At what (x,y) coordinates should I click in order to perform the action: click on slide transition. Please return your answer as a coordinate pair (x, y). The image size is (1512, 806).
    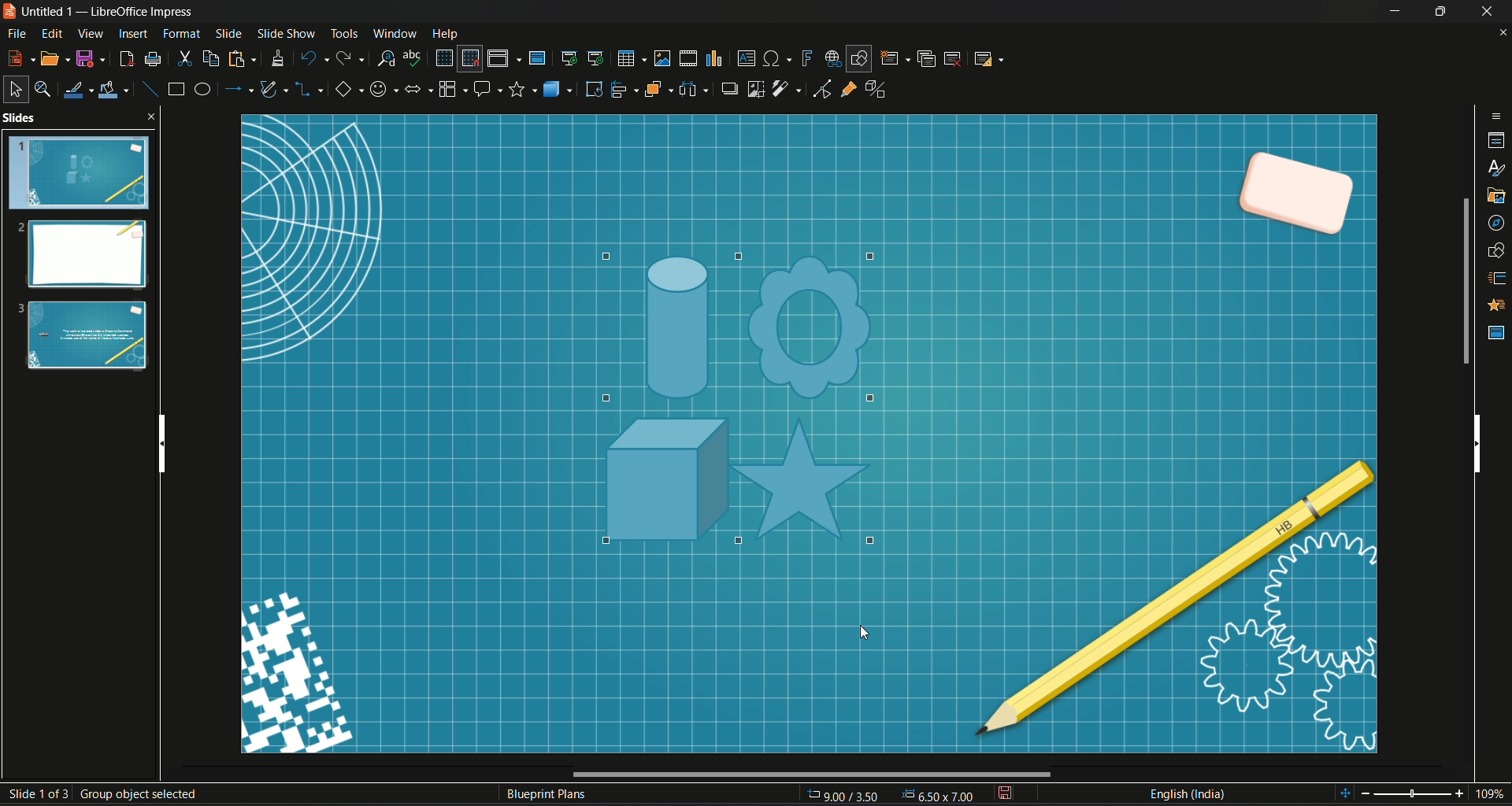
    Looking at the image, I should click on (1498, 279).